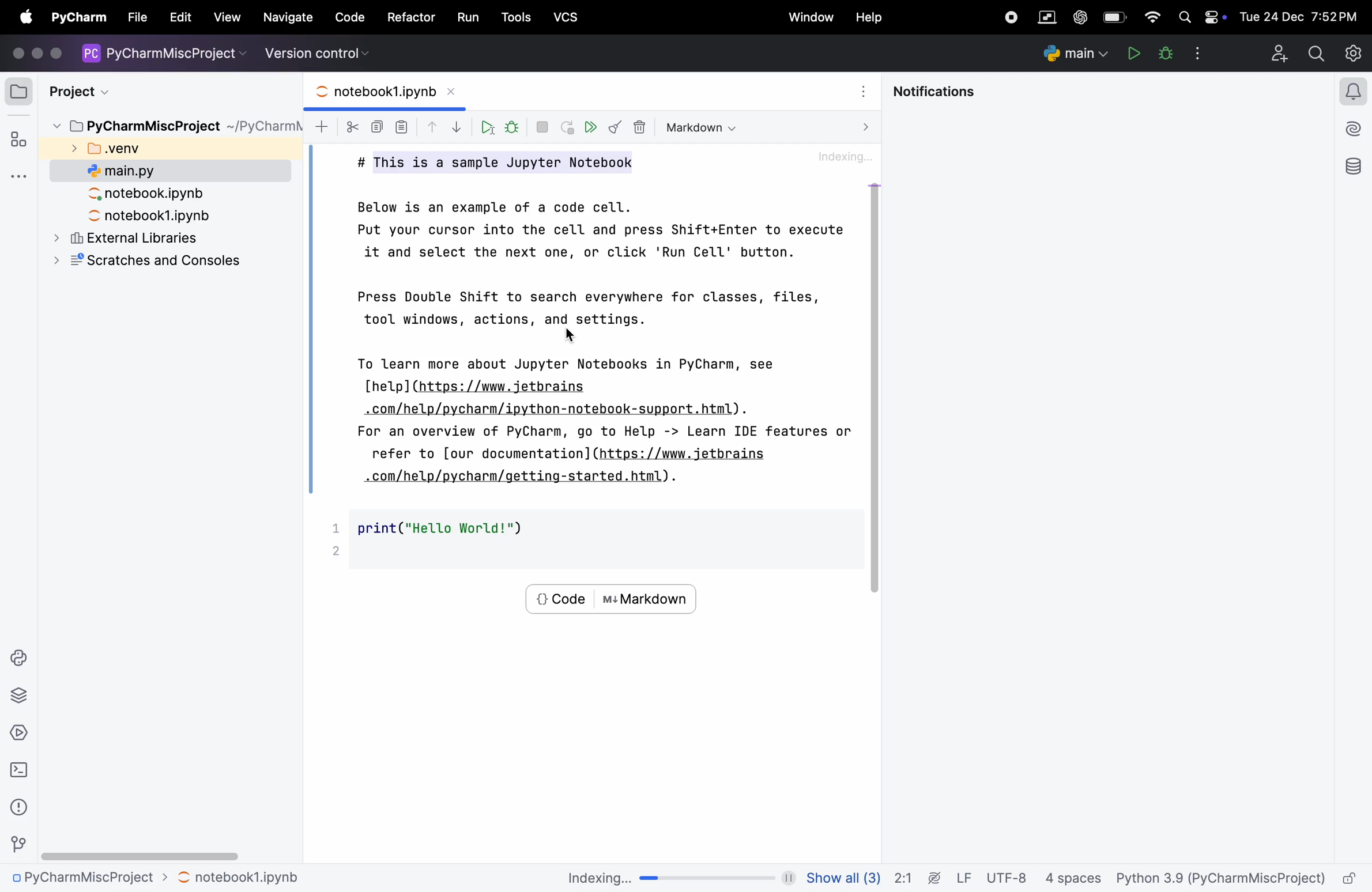 This screenshot has height=892, width=1372. I want to click on ai aisstant, so click(1350, 129).